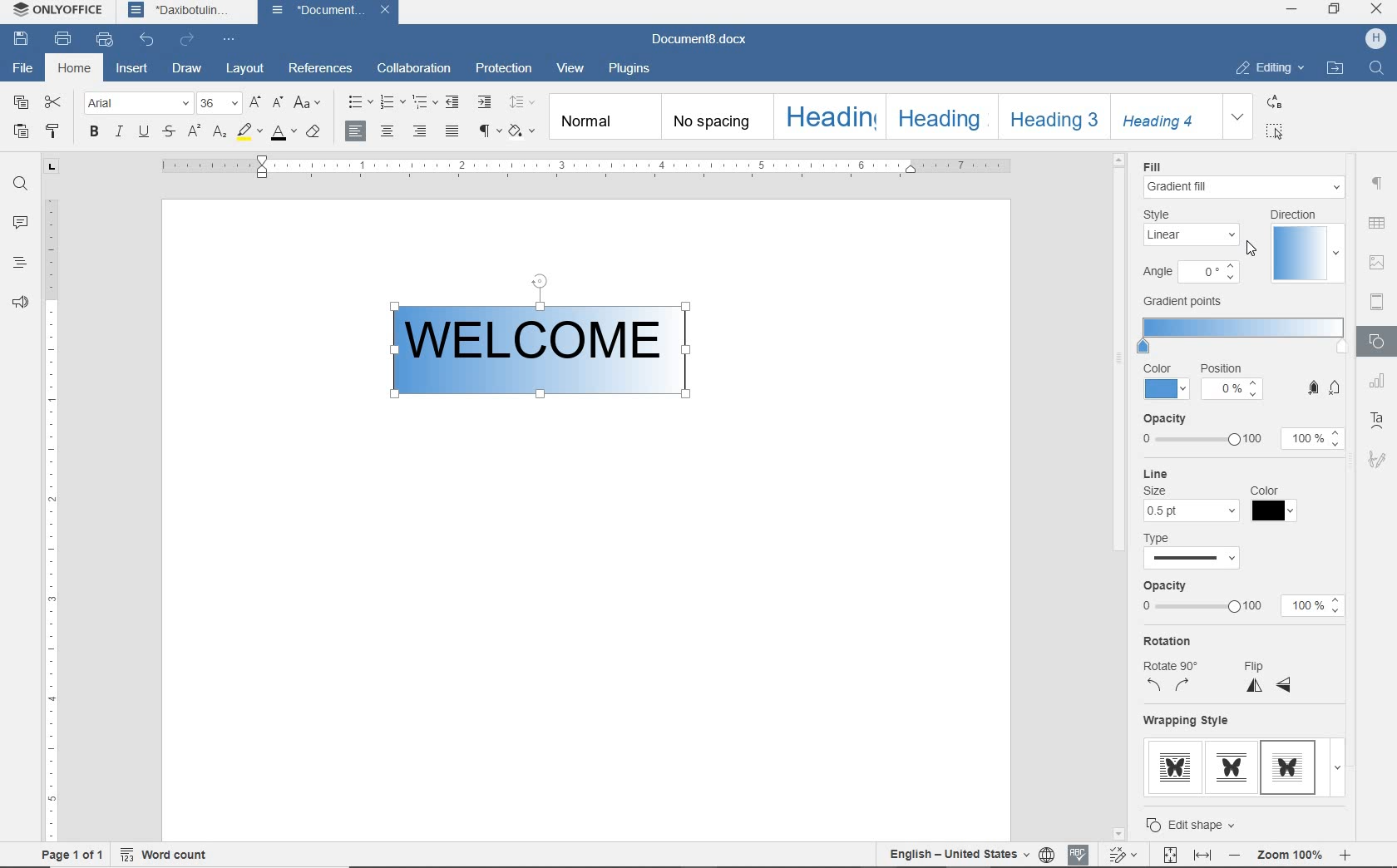  Describe the element at coordinates (1126, 854) in the screenshot. I see `TRACK CHANGES` at that location.